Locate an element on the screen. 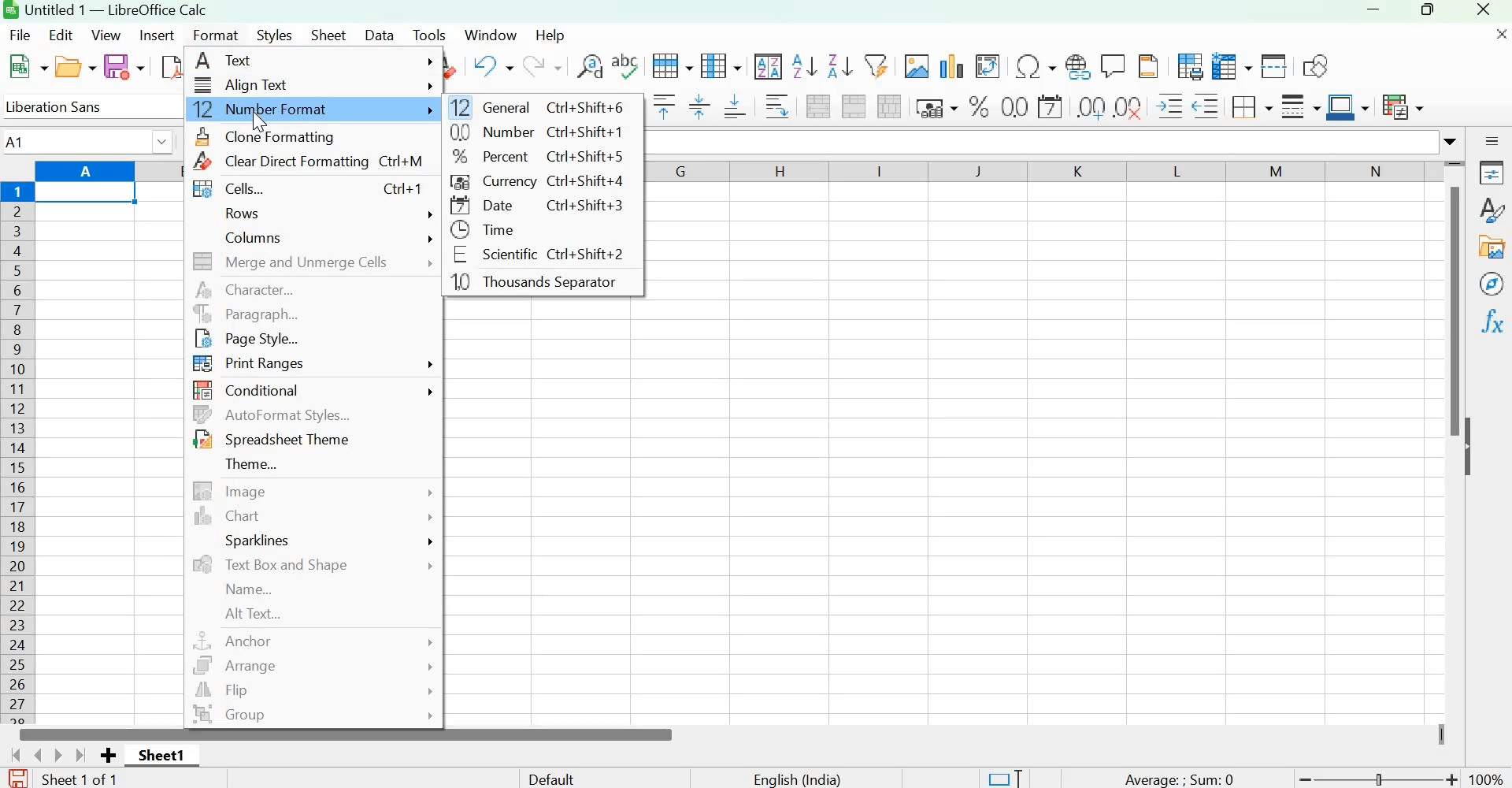 This screenshot has width=1512, height=788. Group is located at coordinates (229, 714).